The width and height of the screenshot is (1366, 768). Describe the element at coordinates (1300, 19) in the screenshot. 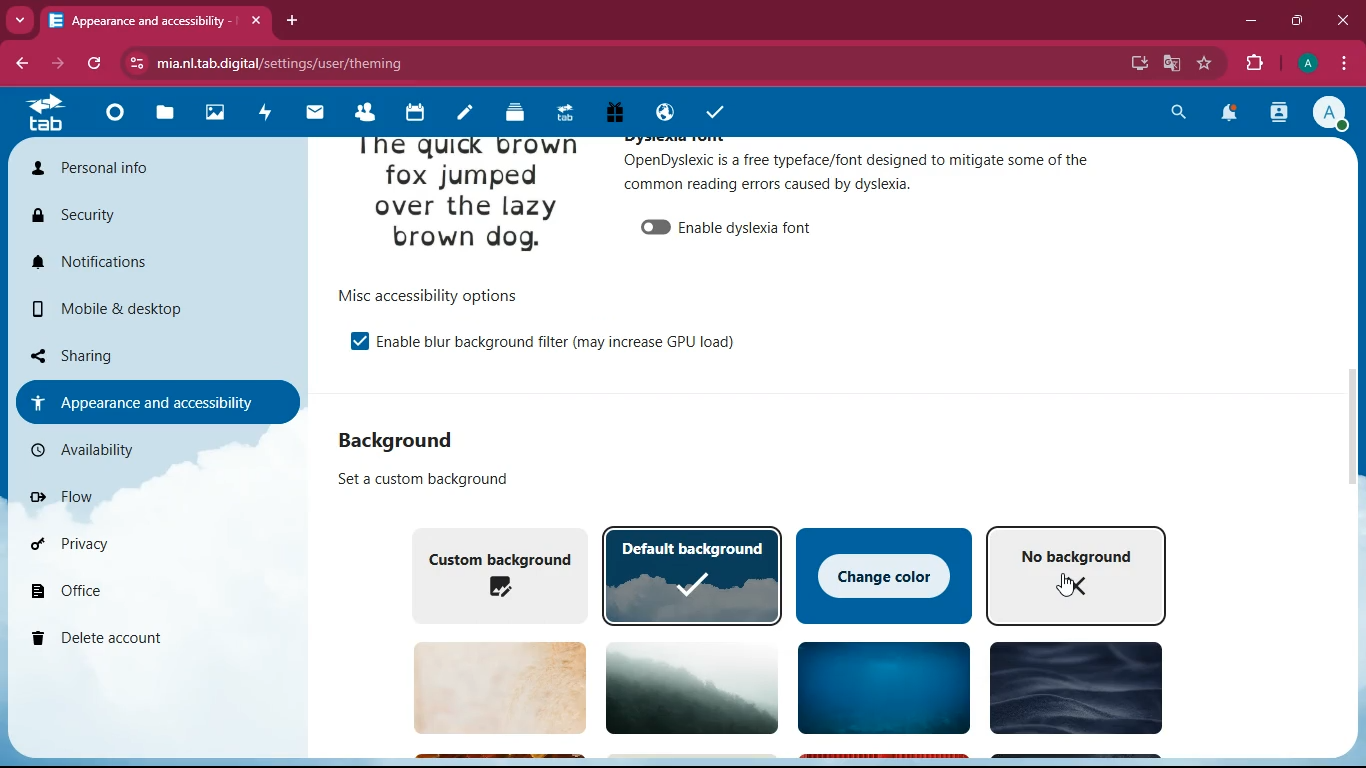

I see `maximize` at that location.